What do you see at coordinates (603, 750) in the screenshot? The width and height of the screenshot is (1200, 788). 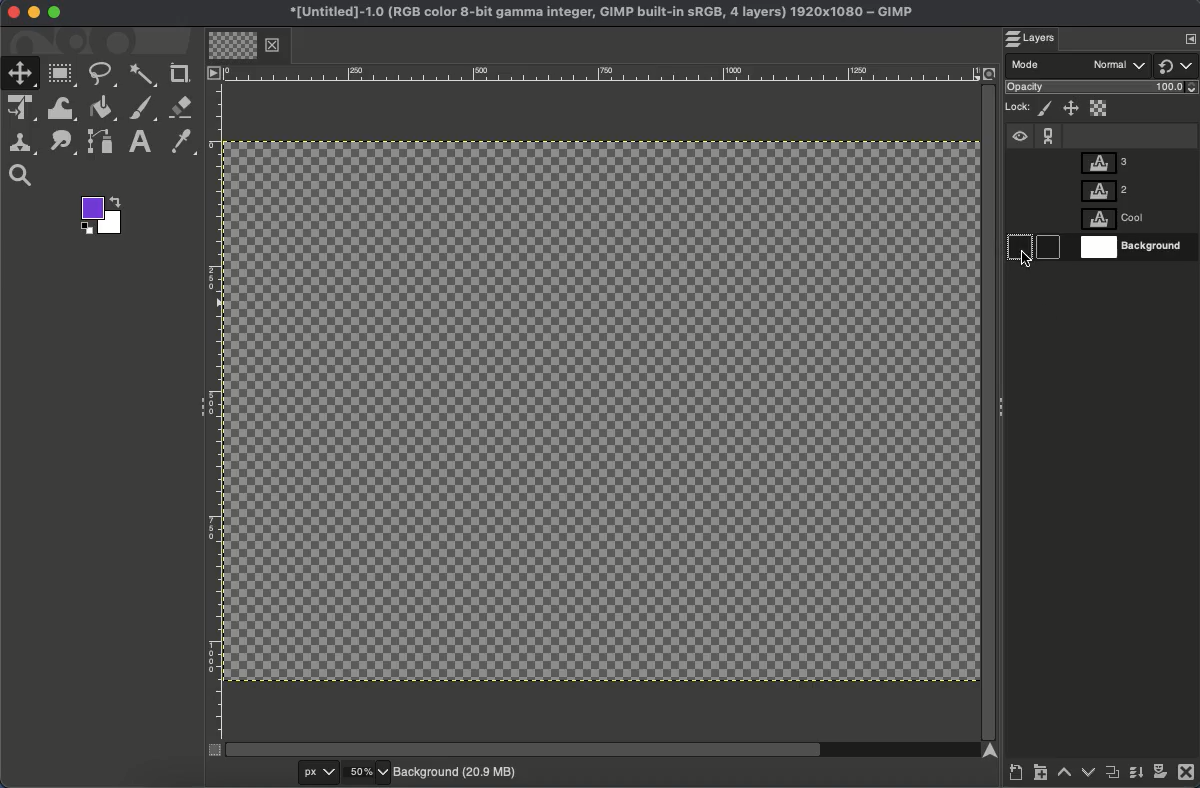 I see `Scroll` at bounding box center [603, 750].